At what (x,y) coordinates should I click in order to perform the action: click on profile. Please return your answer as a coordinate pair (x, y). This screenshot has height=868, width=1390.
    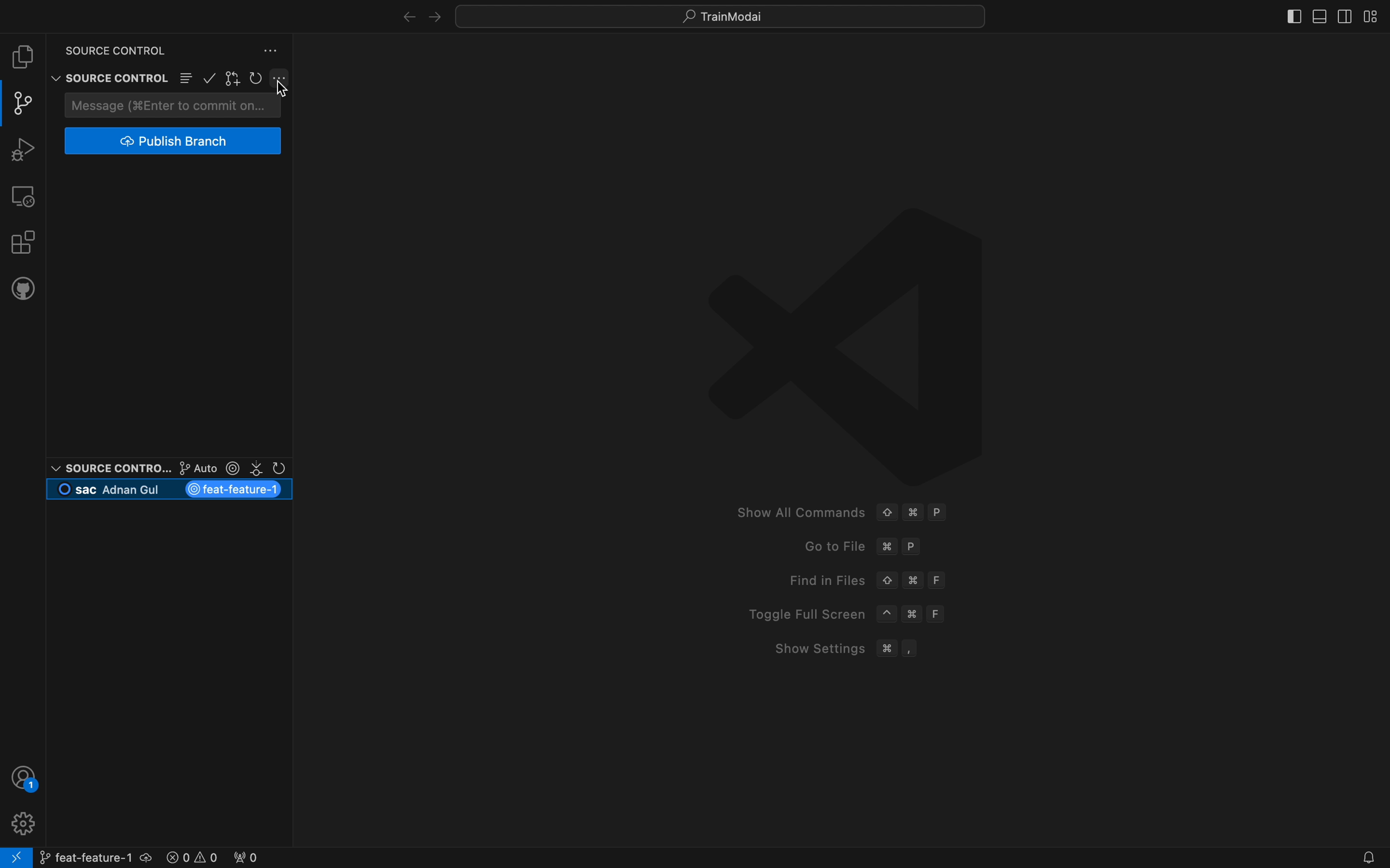
    Looking at the image, I should click on (21, 822).